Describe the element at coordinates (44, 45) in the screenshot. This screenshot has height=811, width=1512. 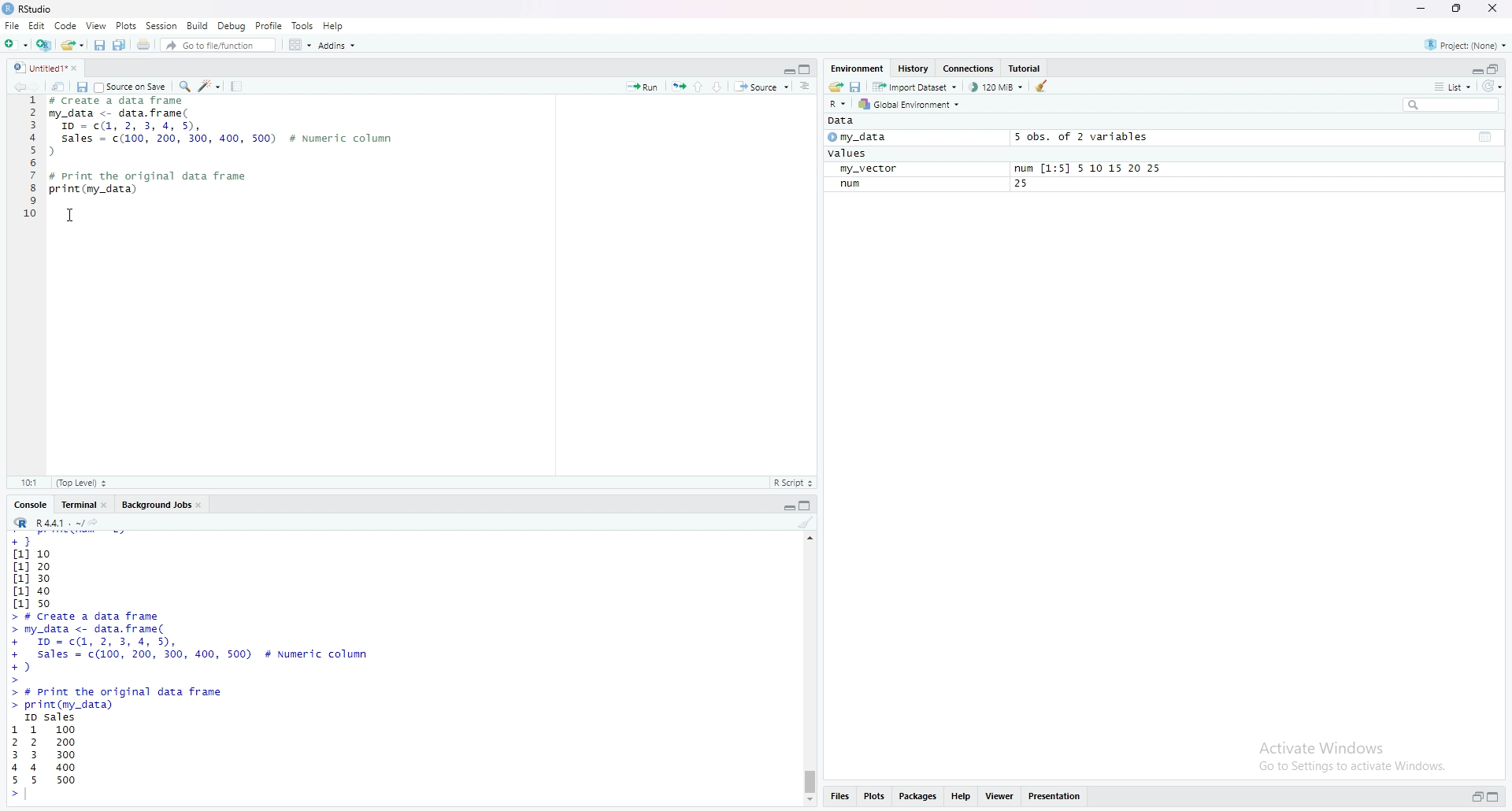
I see `create a project` at that location.